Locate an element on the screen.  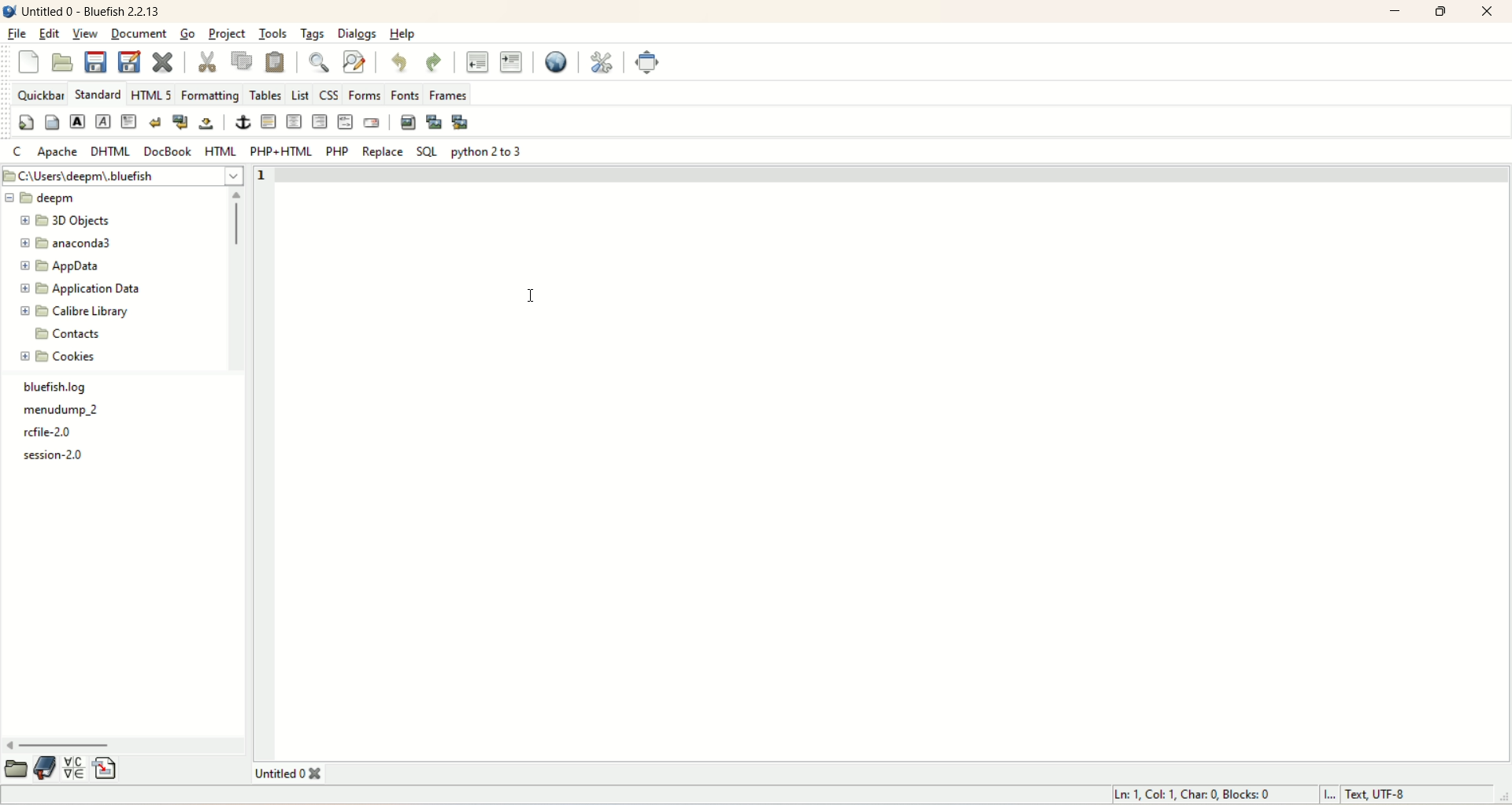
title is located at coordinates (93, 11).